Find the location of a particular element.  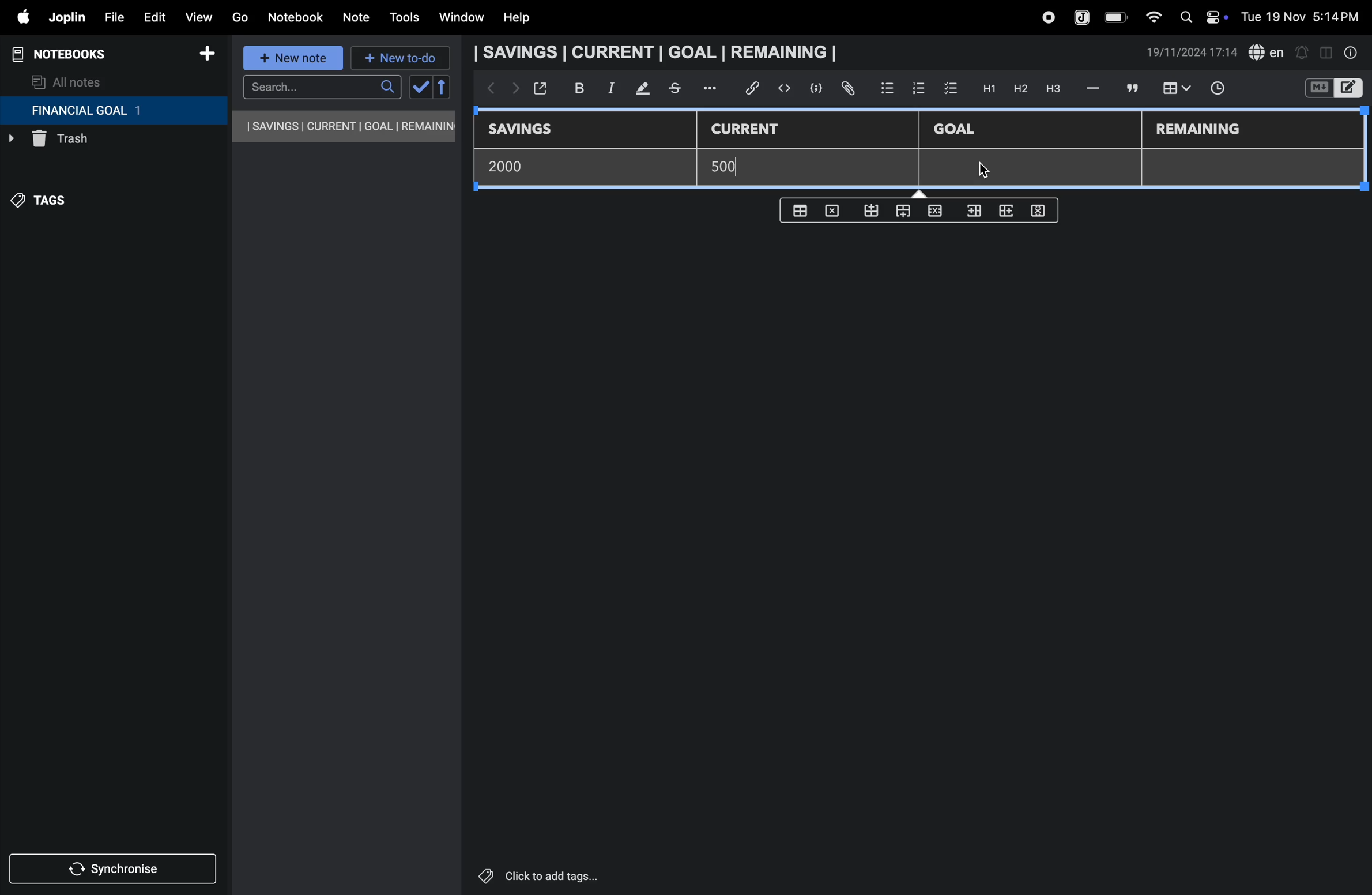

notebook is located at coordinates (295, 17).